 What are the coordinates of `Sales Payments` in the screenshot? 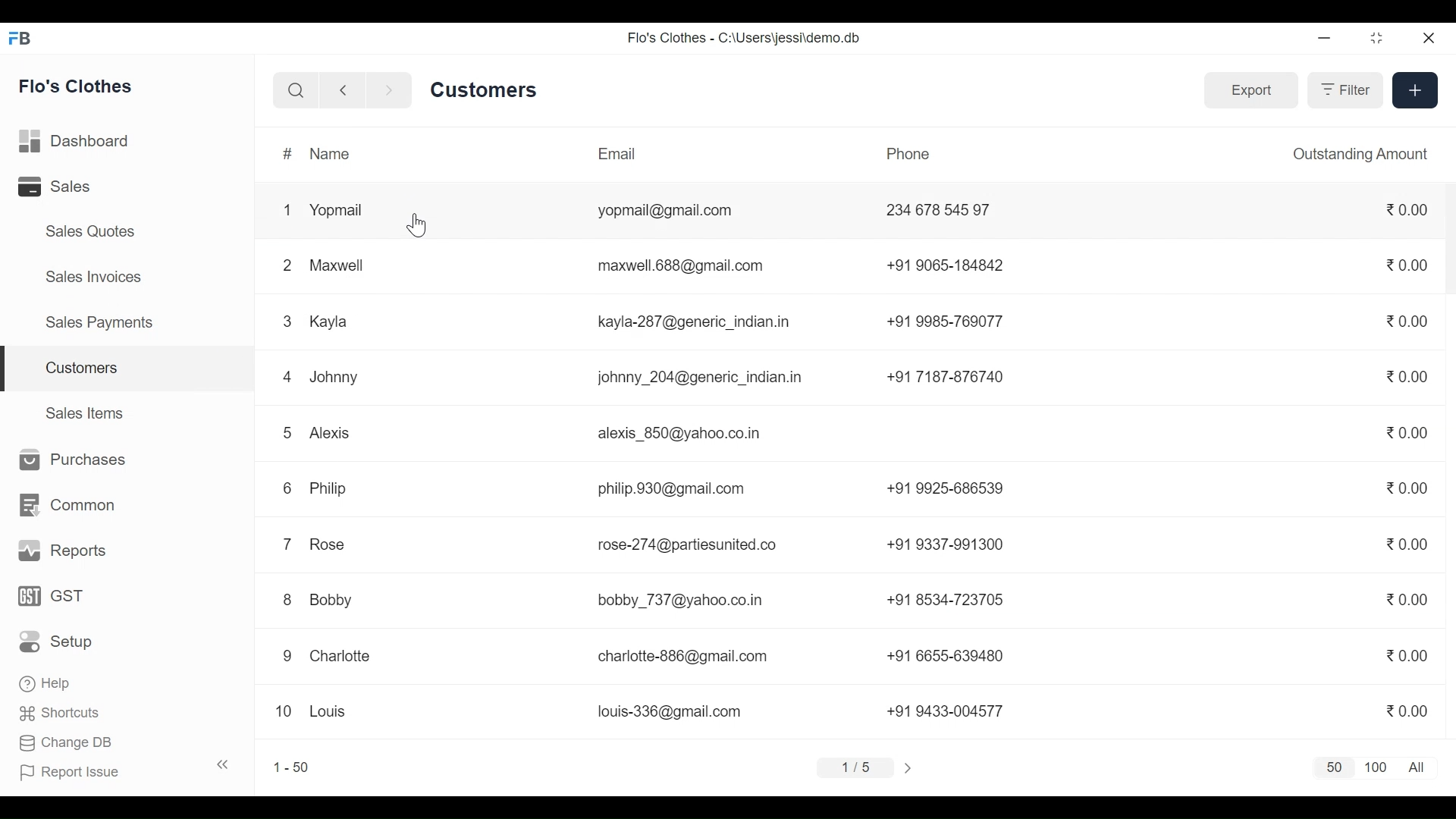 It's located at (98, 322).